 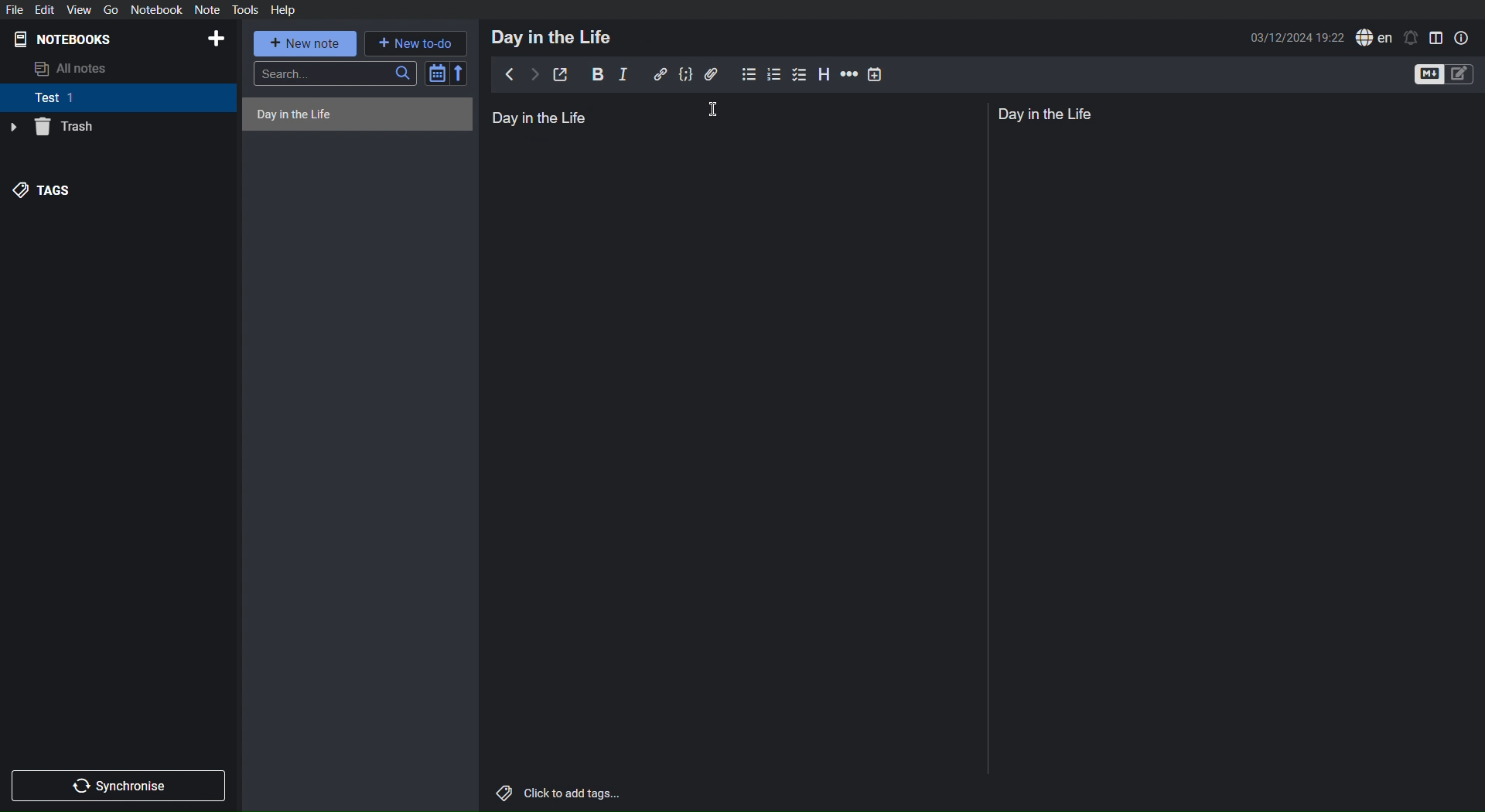 What do you see at coordinates (12, 10) in the screenshot?
I see `File` at bounding box center [12, 10].